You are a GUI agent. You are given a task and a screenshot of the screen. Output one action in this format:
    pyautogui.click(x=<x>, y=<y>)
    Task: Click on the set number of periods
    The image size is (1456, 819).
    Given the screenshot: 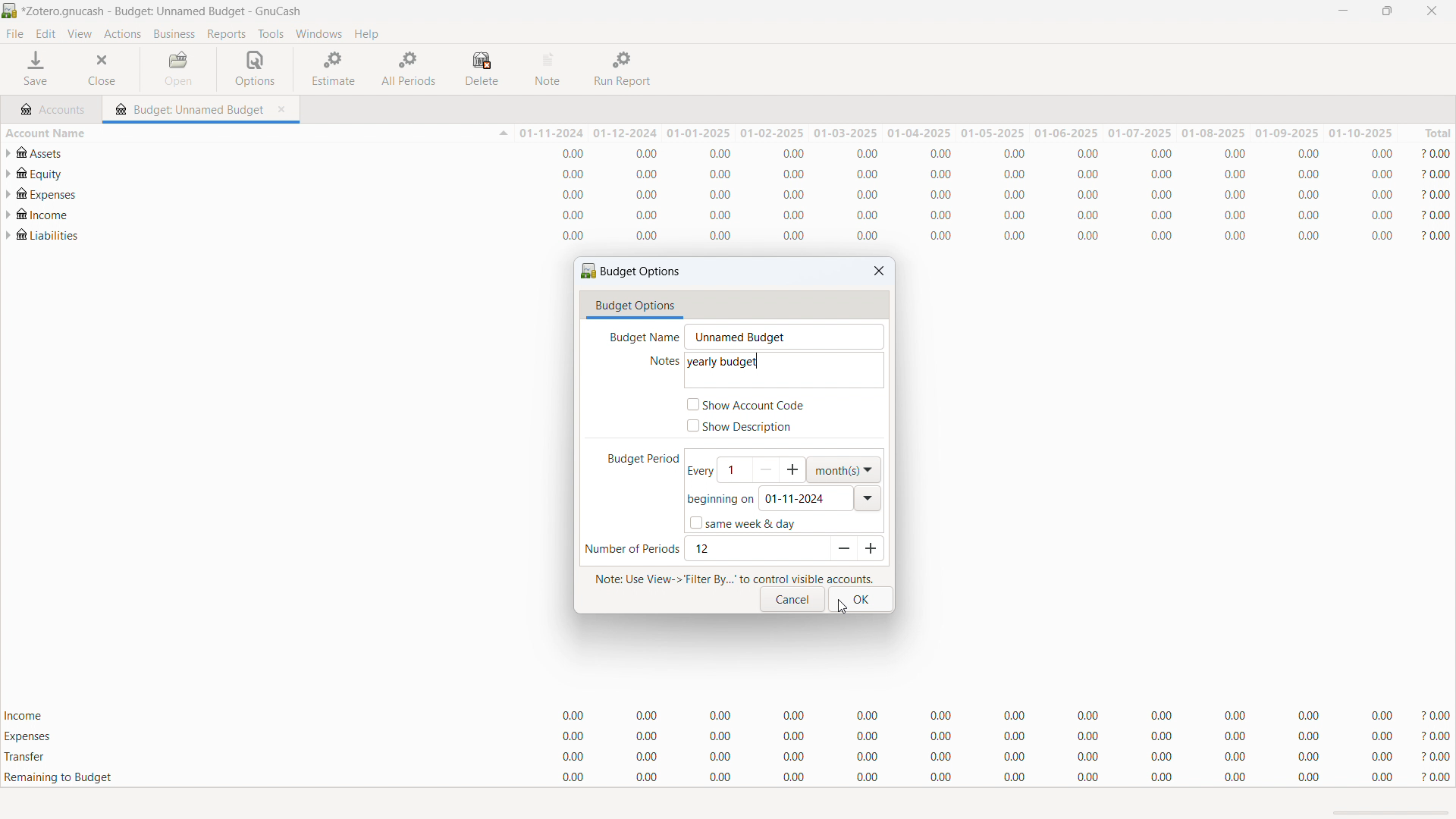 What is the action you would take?
    pyautogui.click(x=755, y=549)
    